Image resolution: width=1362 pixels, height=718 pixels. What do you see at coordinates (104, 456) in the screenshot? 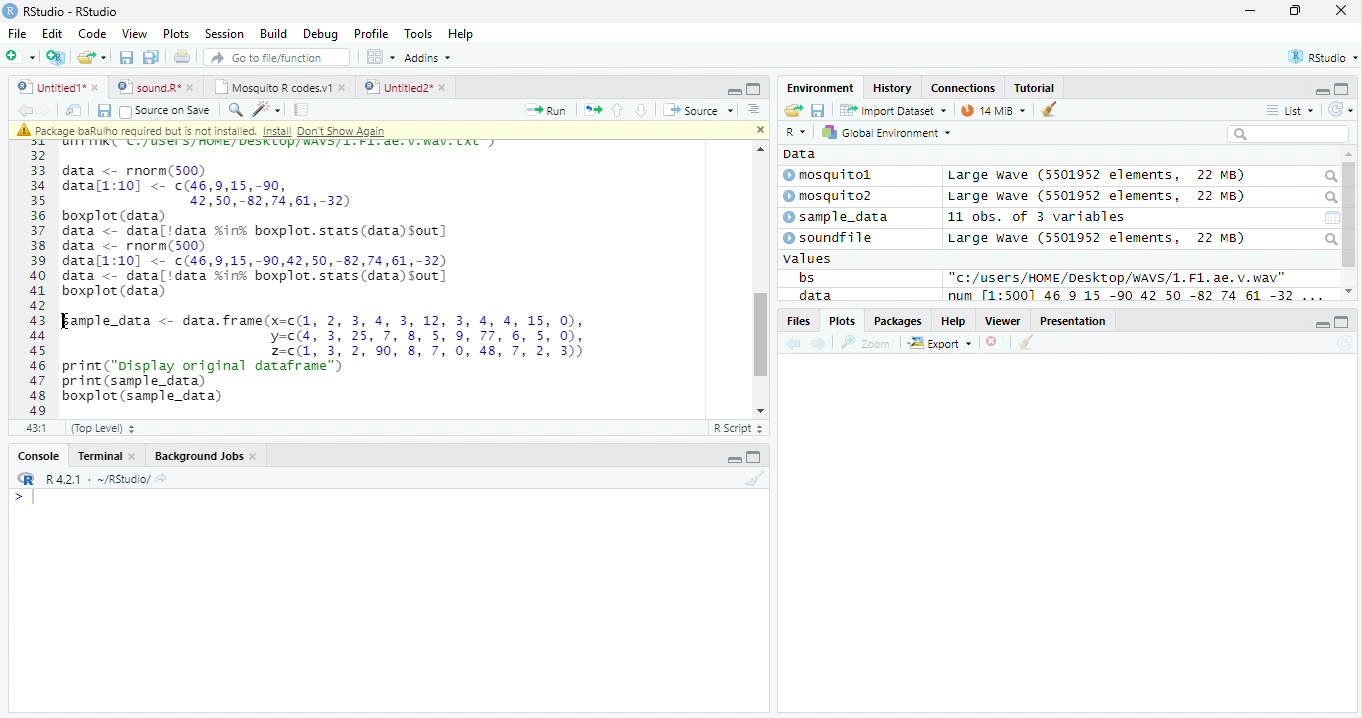
I see `Terminal` at bounding box center [104, 456].